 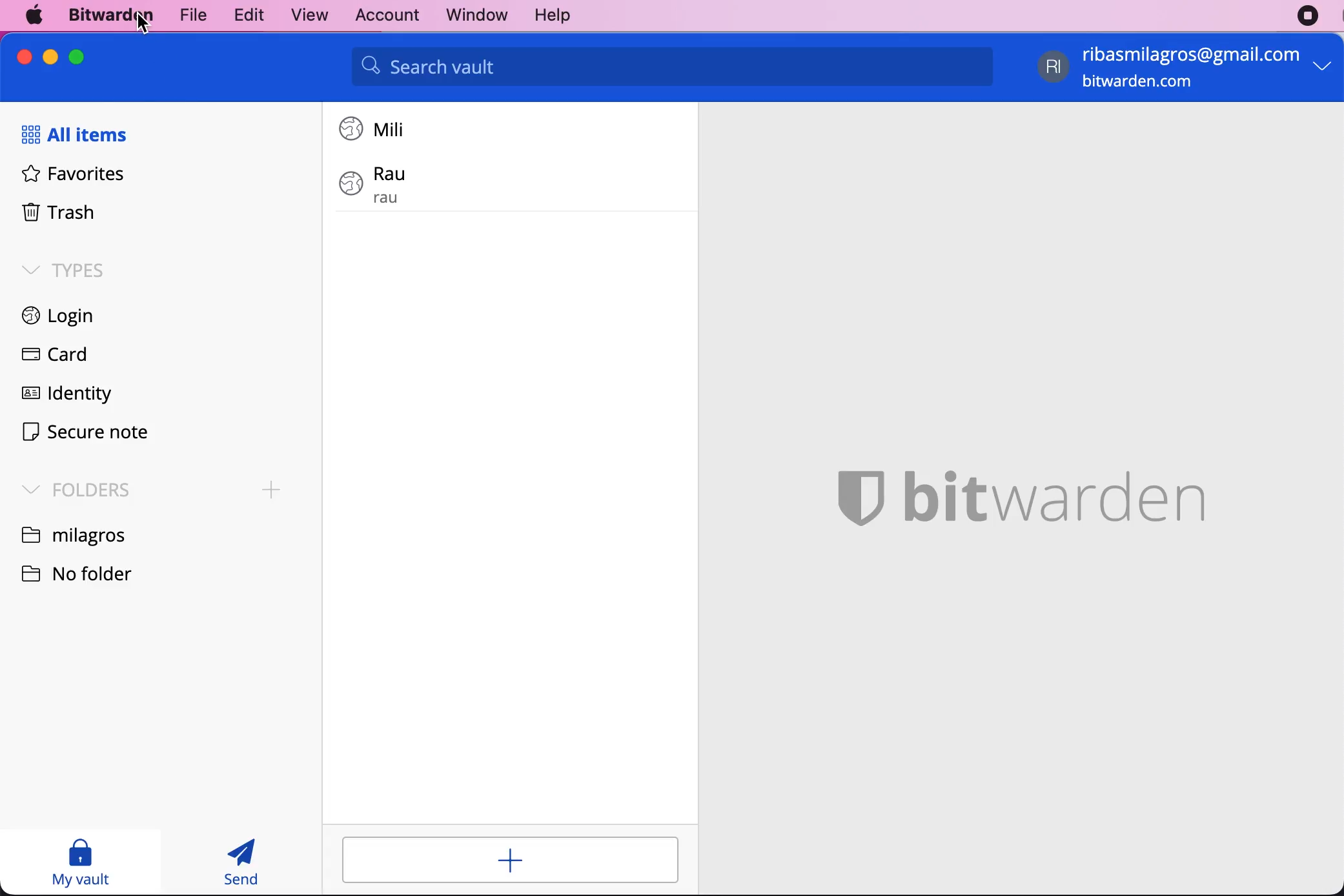 I want to click on account, so click(x=382, y=14).